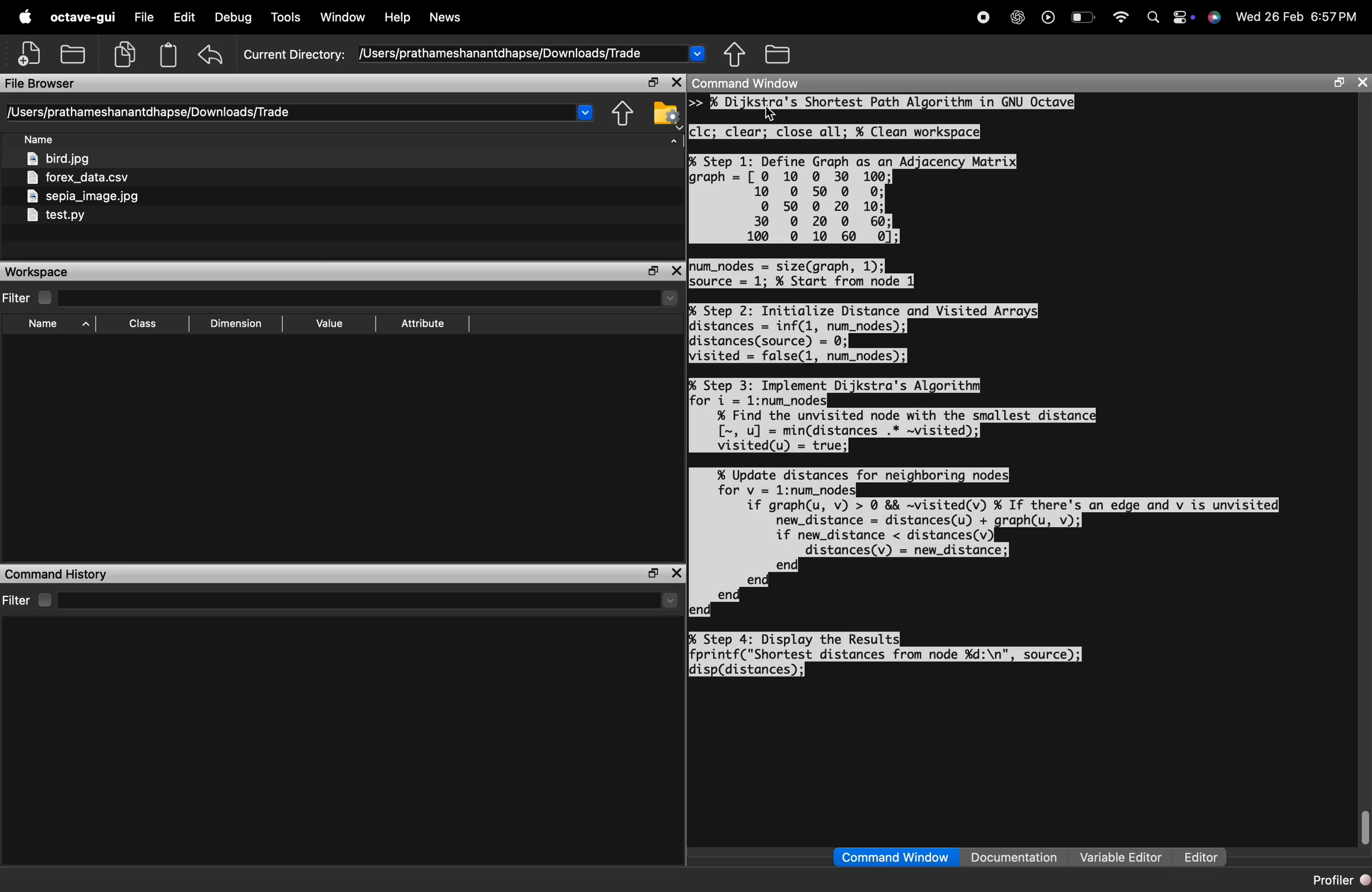  Describe the element at coordinates (28, 298) in the screenshot. I see `filter` at that location.